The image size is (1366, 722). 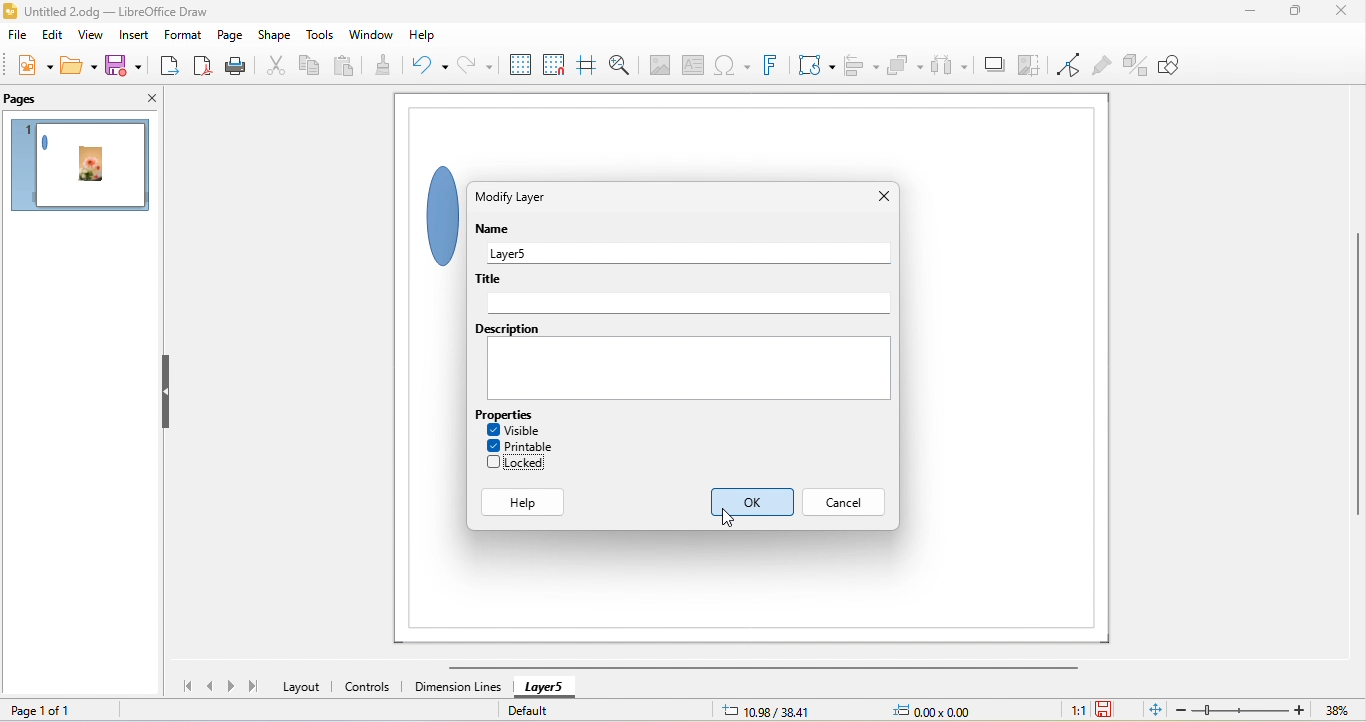 I want to click on shape, so click(x=433, y=213).